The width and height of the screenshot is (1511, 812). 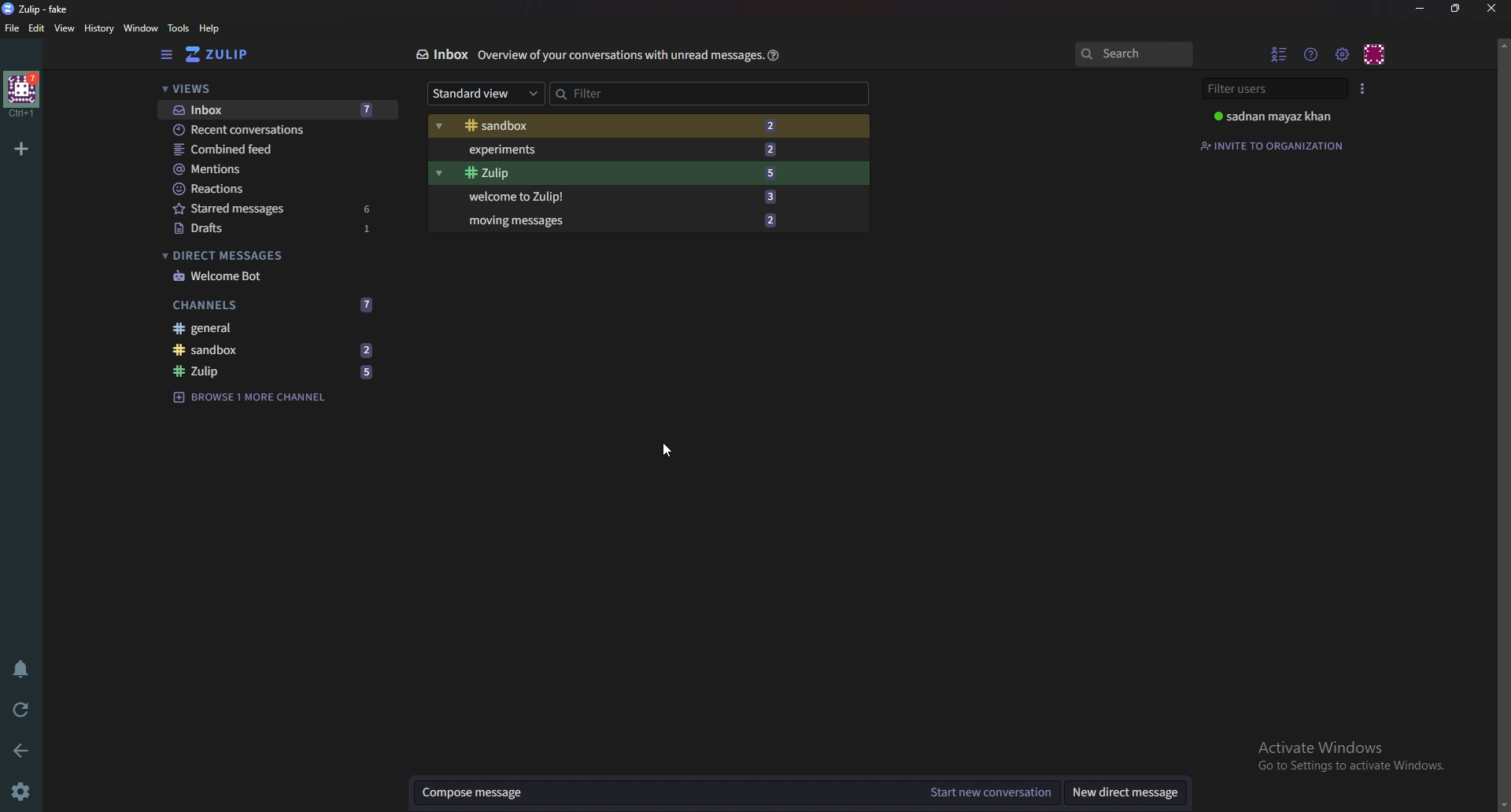 I want to click on back, so click(x=20, y=749).